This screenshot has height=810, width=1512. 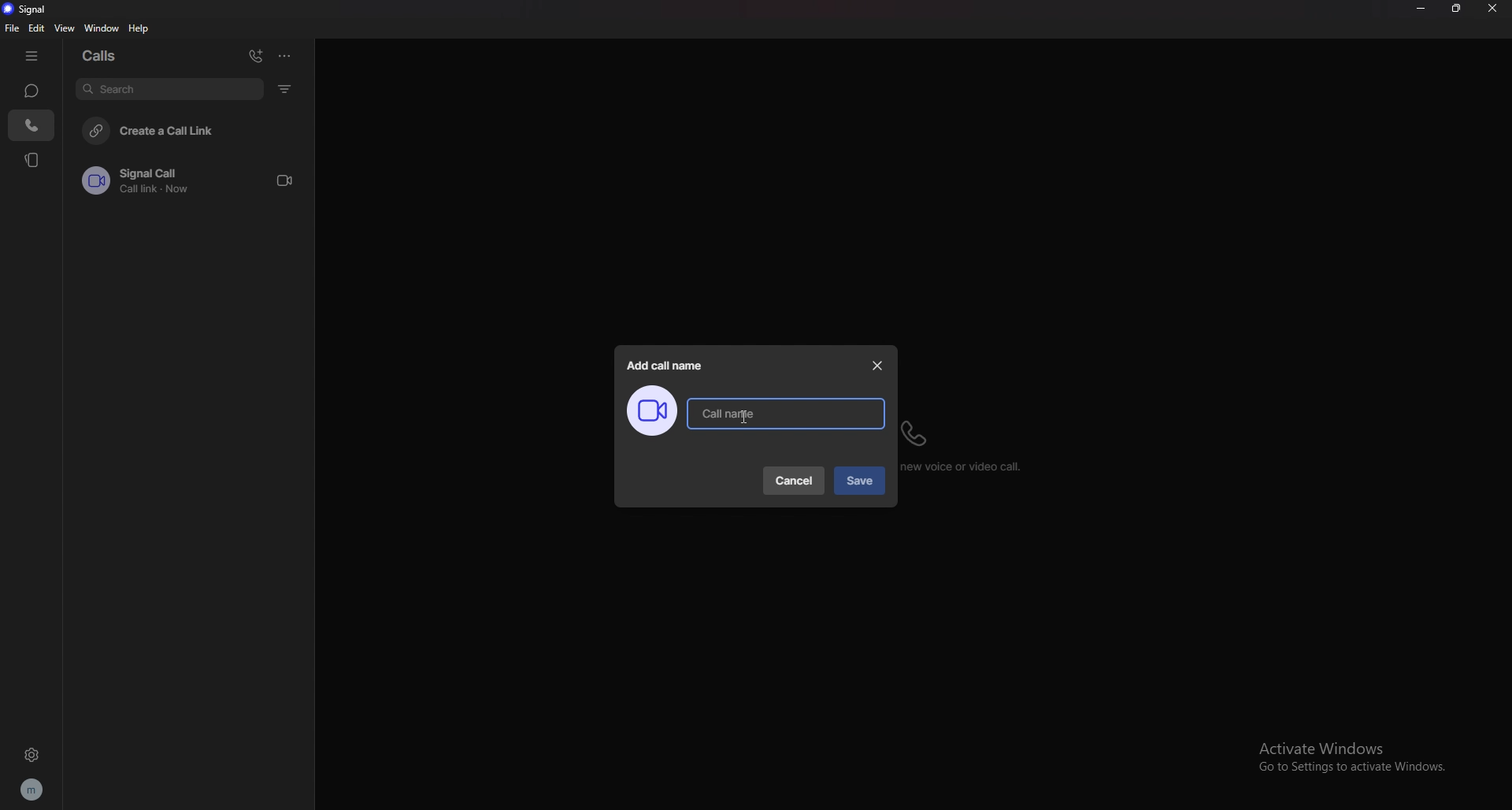 I want to click on resize, so click(x=1456, y=9).